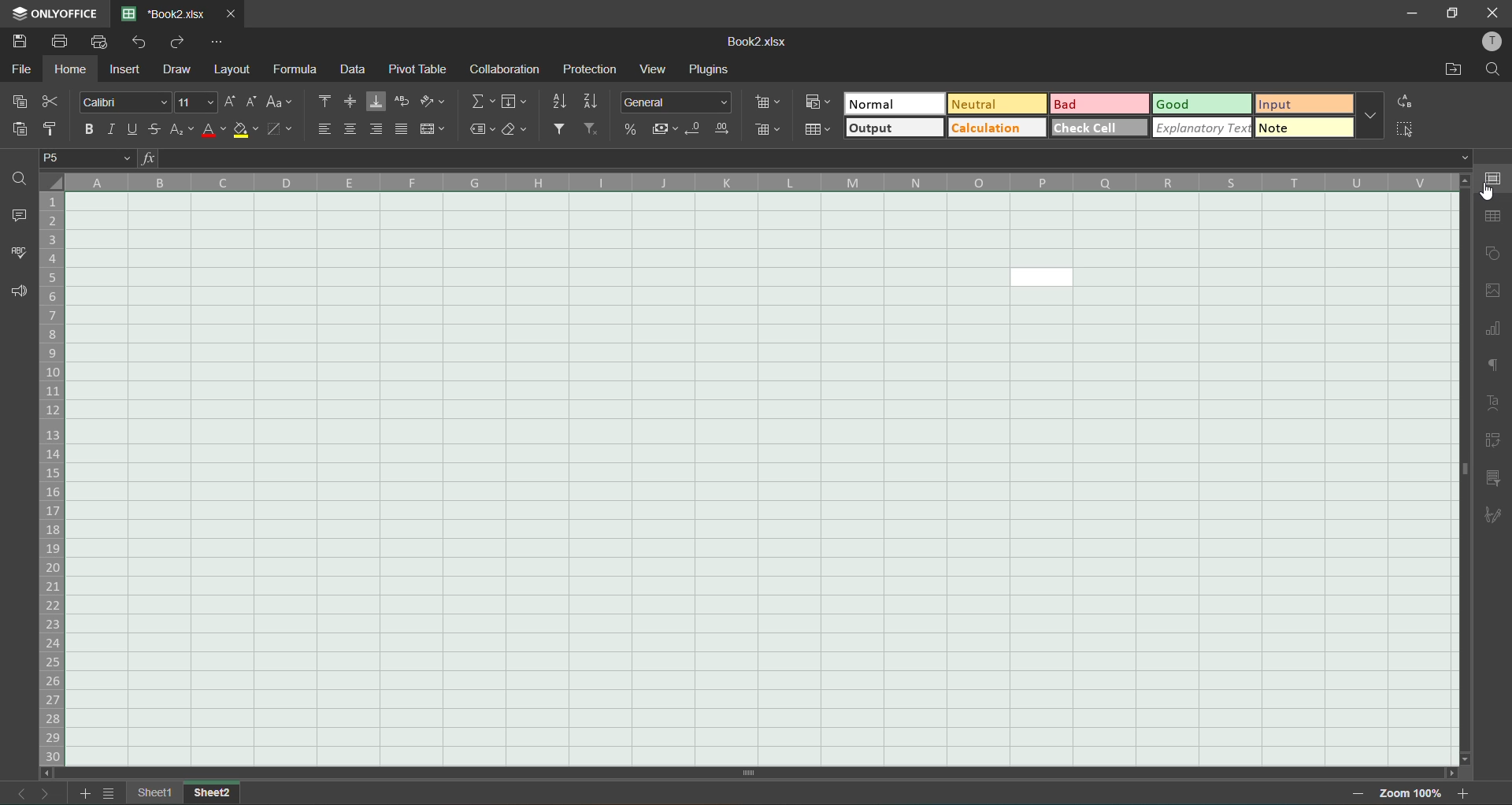 Image resolution: width=1512 pixels, height=805 pixels. Describe the element at coordinates (1097, 125) in the screenshot. I see `check cell` at that location.